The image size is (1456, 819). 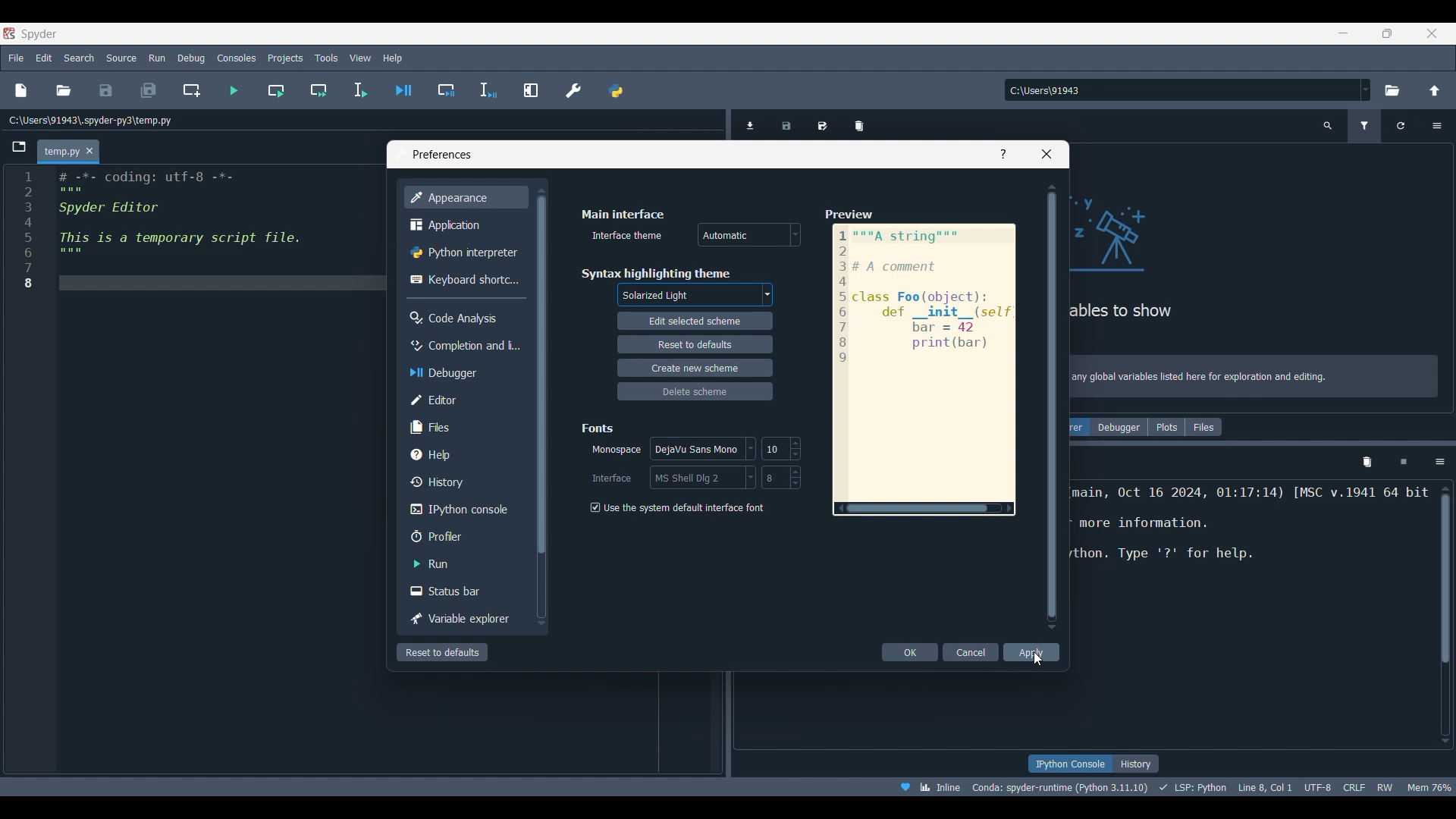 What do you see at coordinates (1166, 427) in the screenshot?
I see `Plots` at bounding box center [1166, 427].